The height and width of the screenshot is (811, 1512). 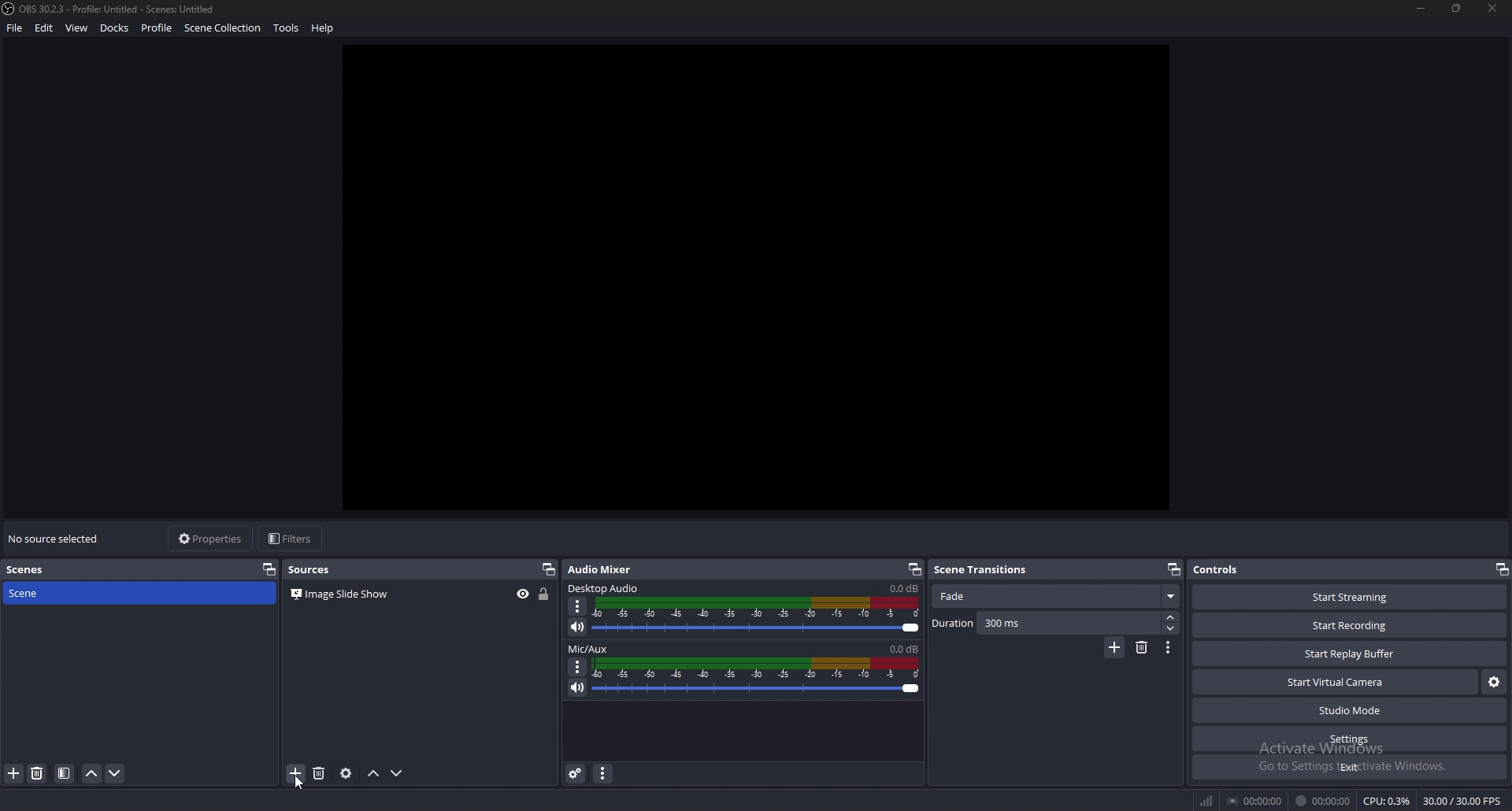 What do you see at coordinates (346, 773) in the screenshot?
I see `source properties` at bounding box center [346, 773].